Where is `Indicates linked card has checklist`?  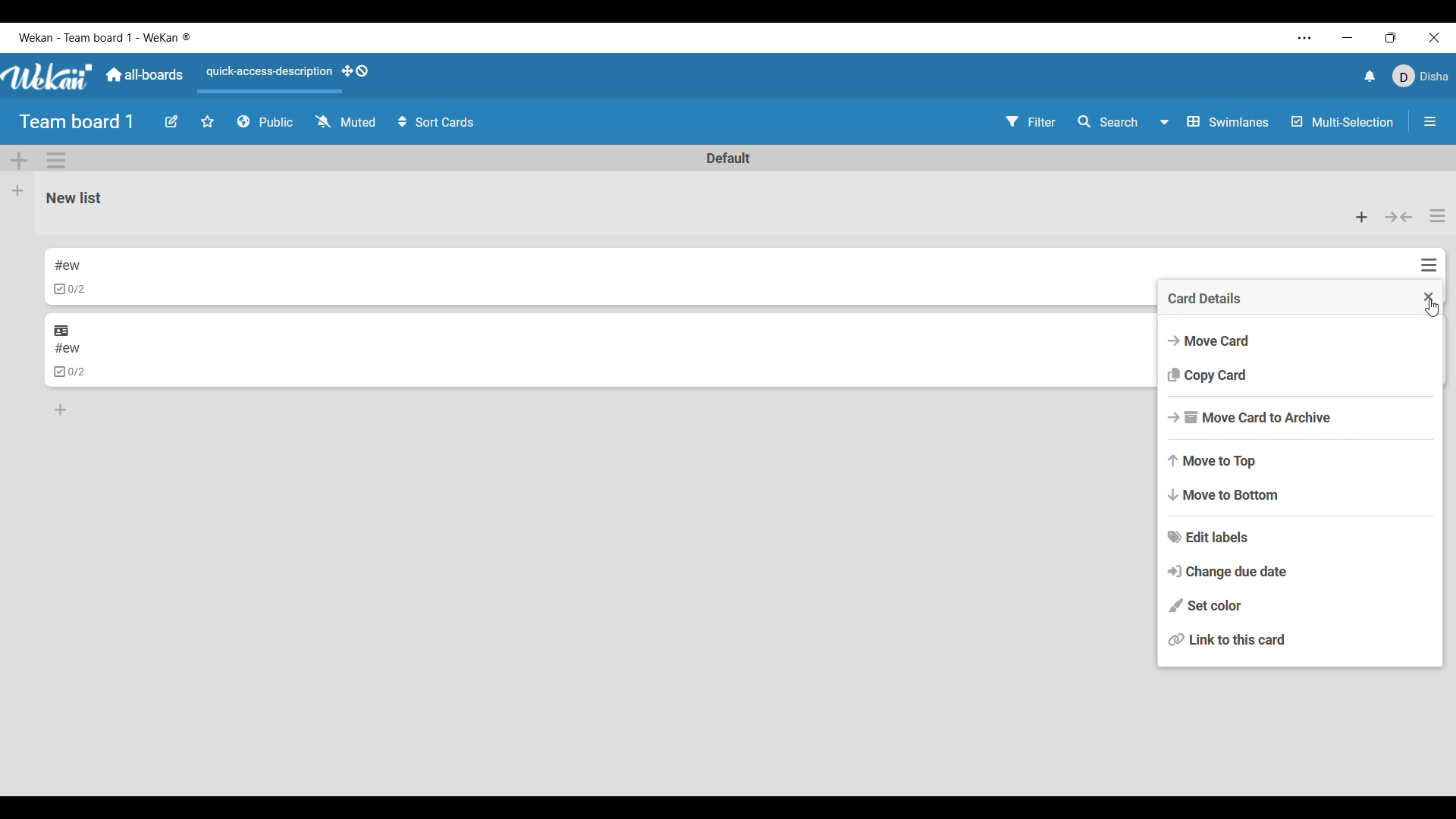
Indicates linked card has checklist is located at coordinates (70, 372).